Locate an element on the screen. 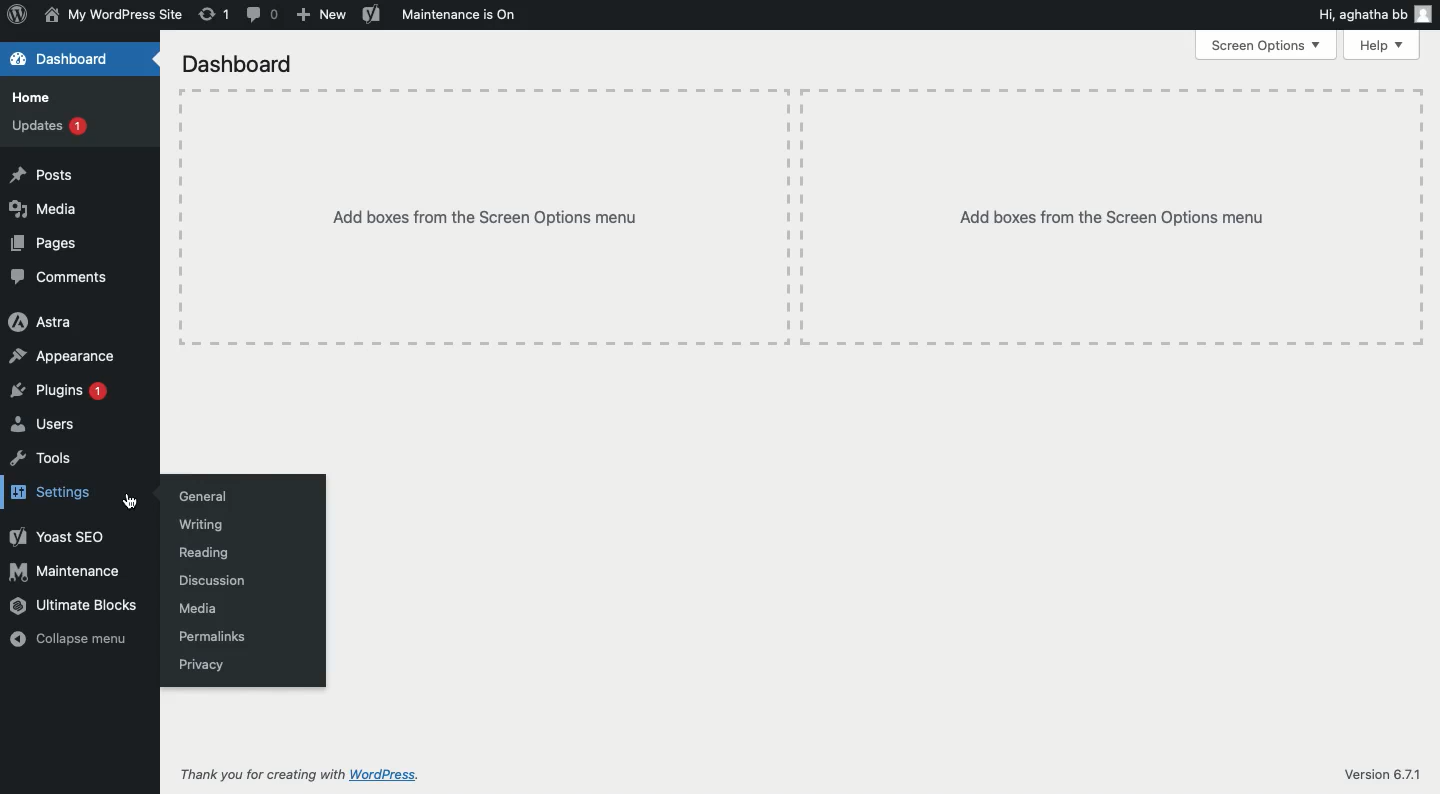 The image size is (1440, 794). Privacy is located at coordinates (202, 665).